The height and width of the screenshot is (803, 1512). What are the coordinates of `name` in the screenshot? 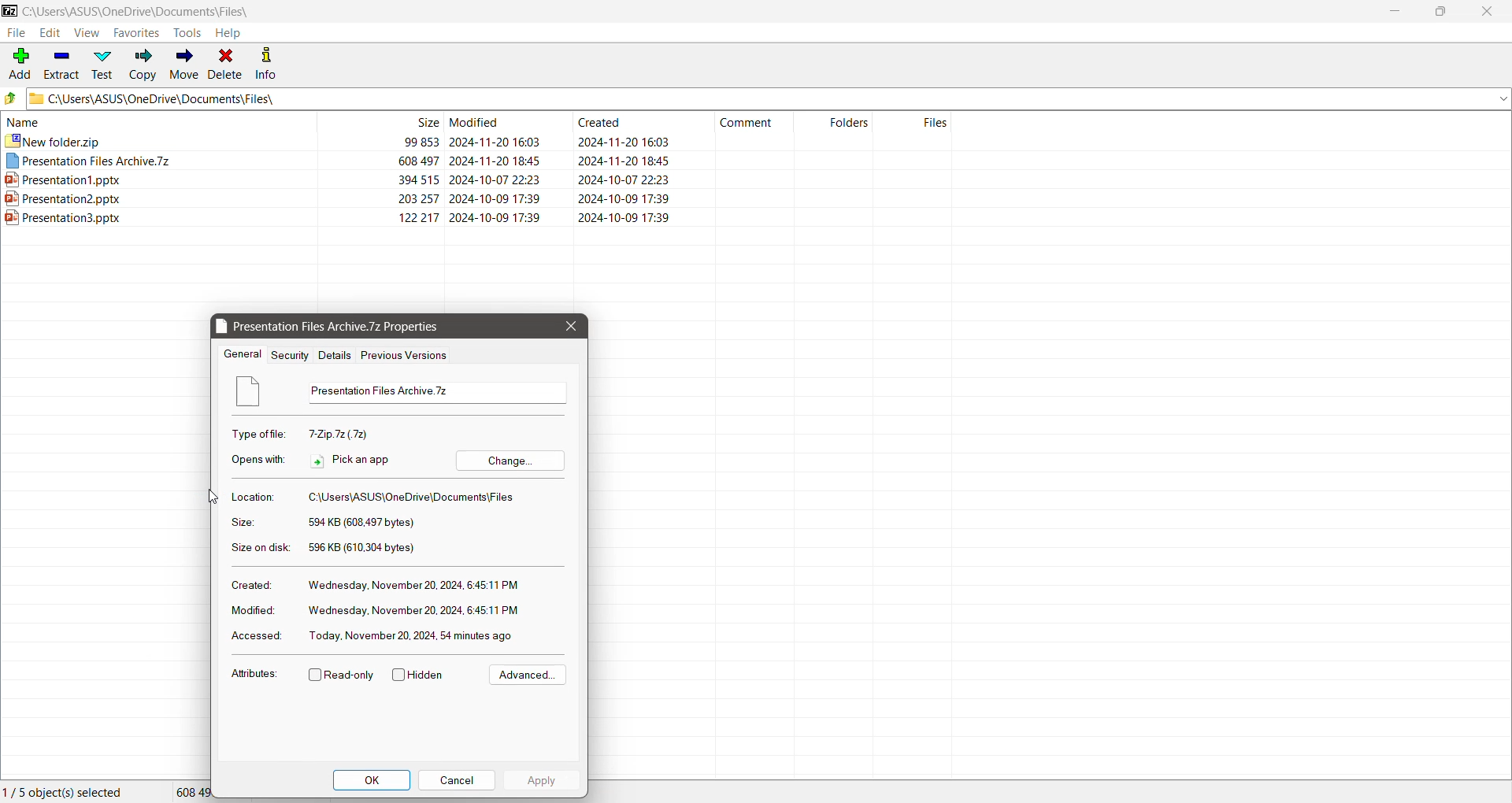 It's located at (156, 121).